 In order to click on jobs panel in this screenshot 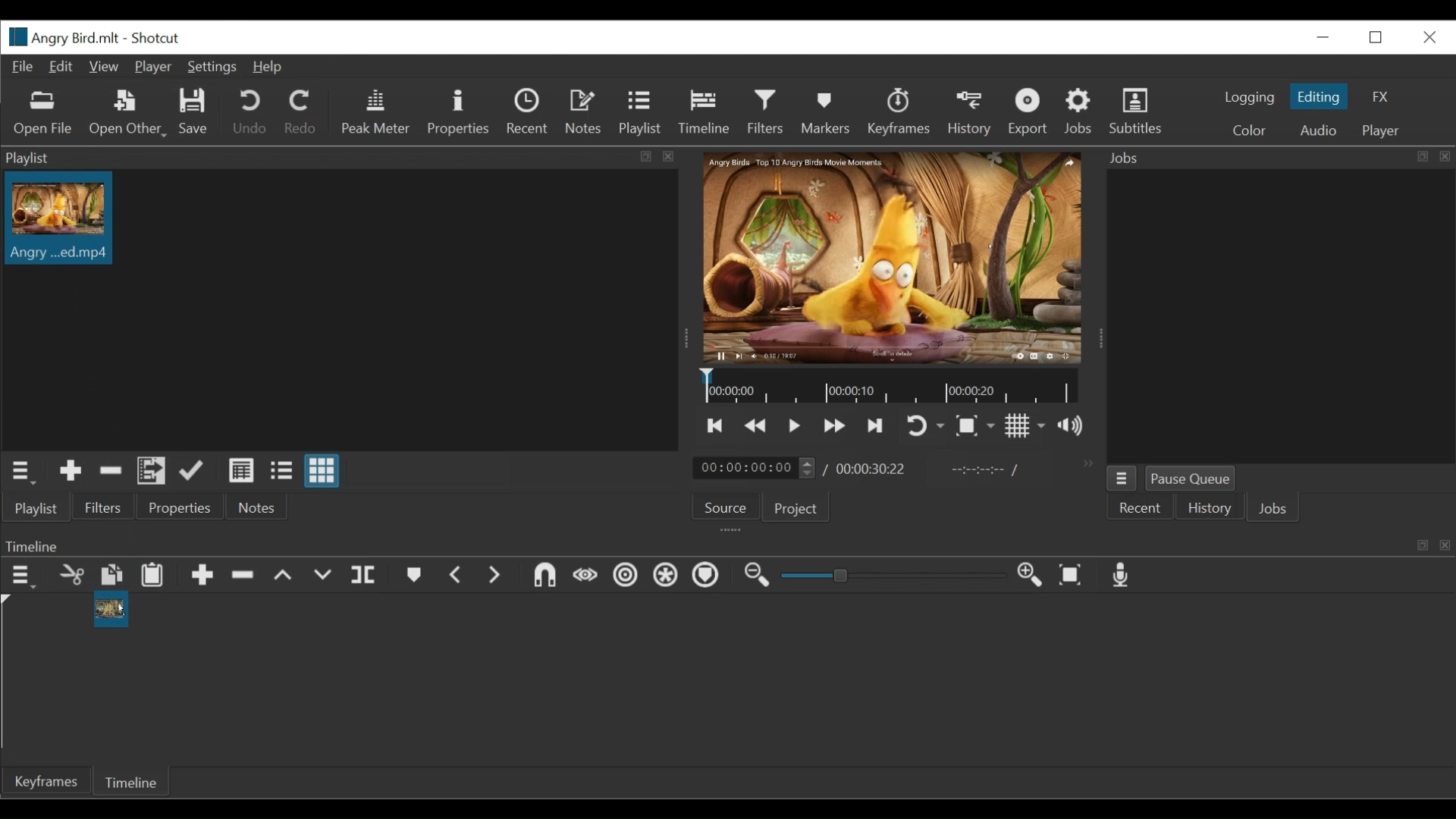, I will do `click(1282, 318)`.